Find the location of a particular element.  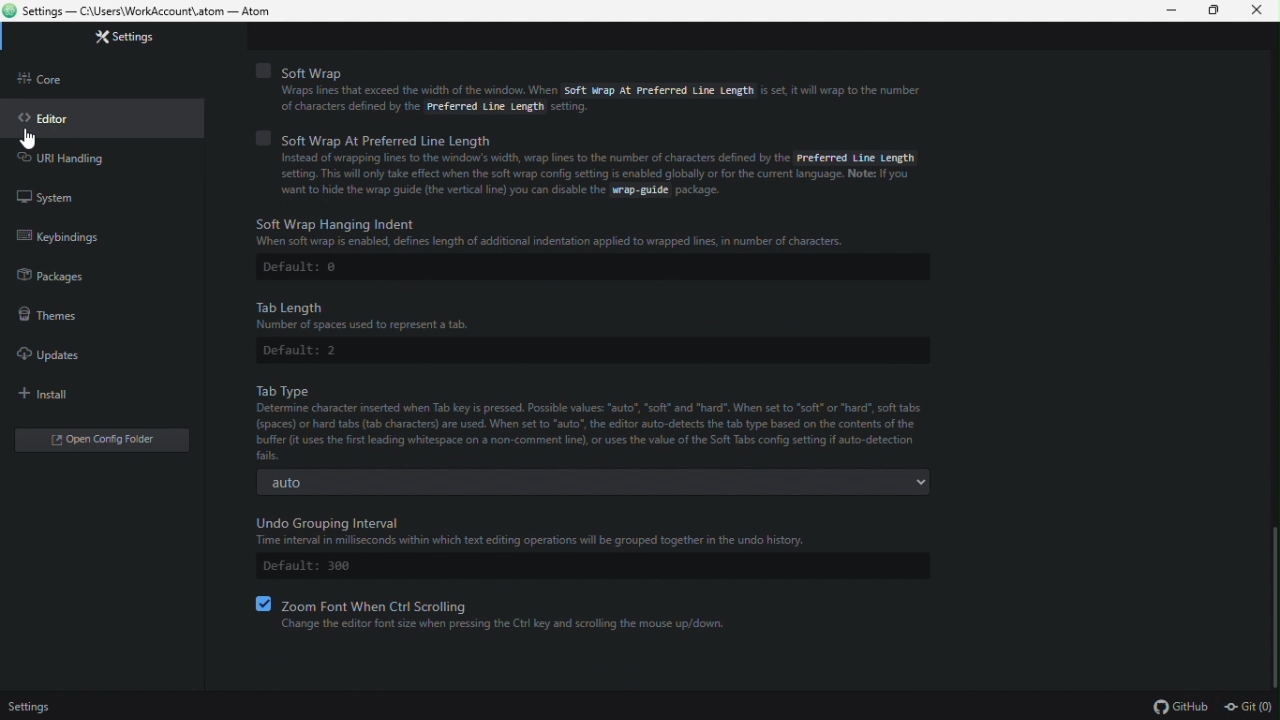

Default: 2 is located at coordinates (310, 351).